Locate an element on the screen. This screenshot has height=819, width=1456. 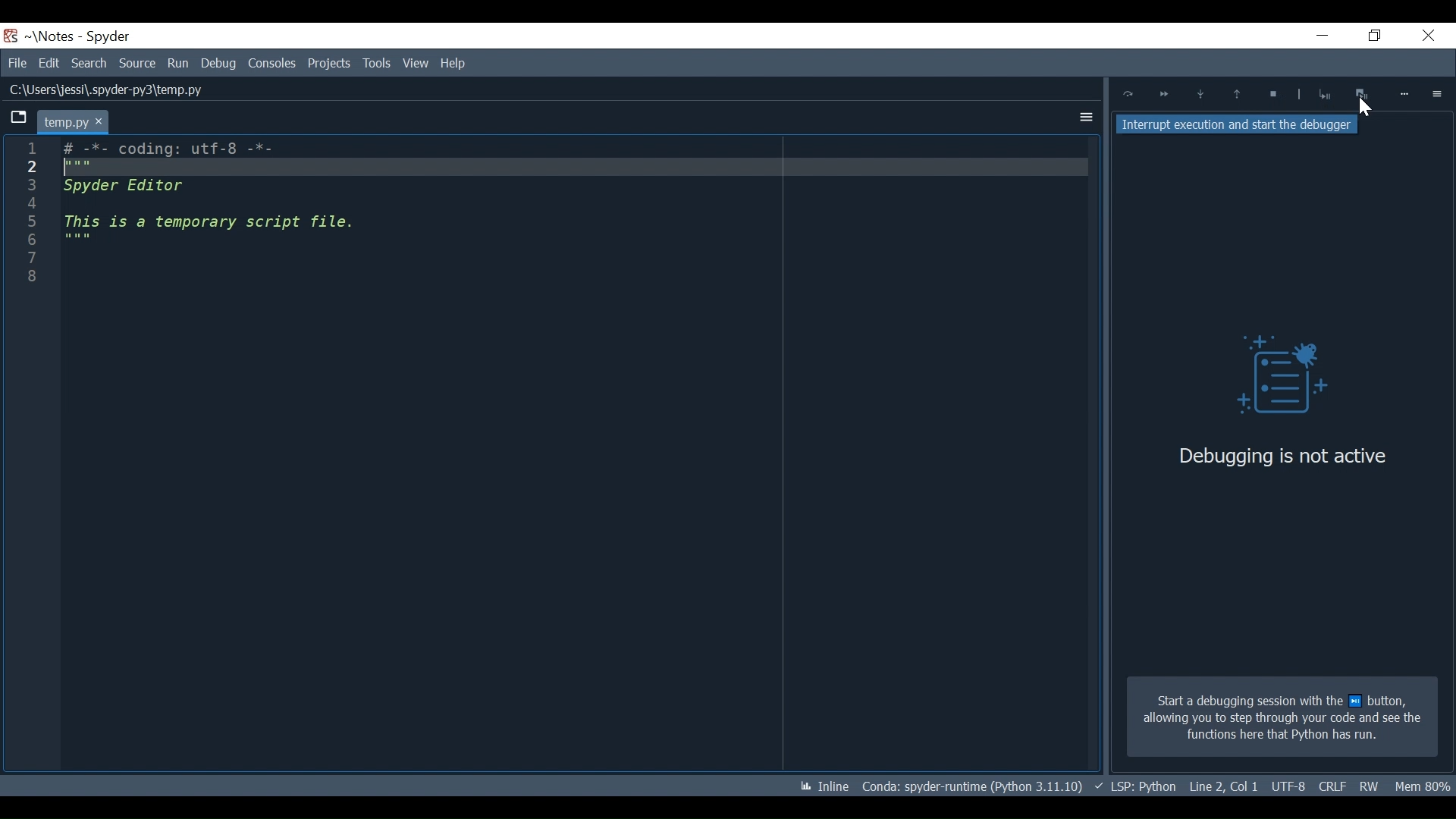
Minimize is located at coordinates (1313, 37).